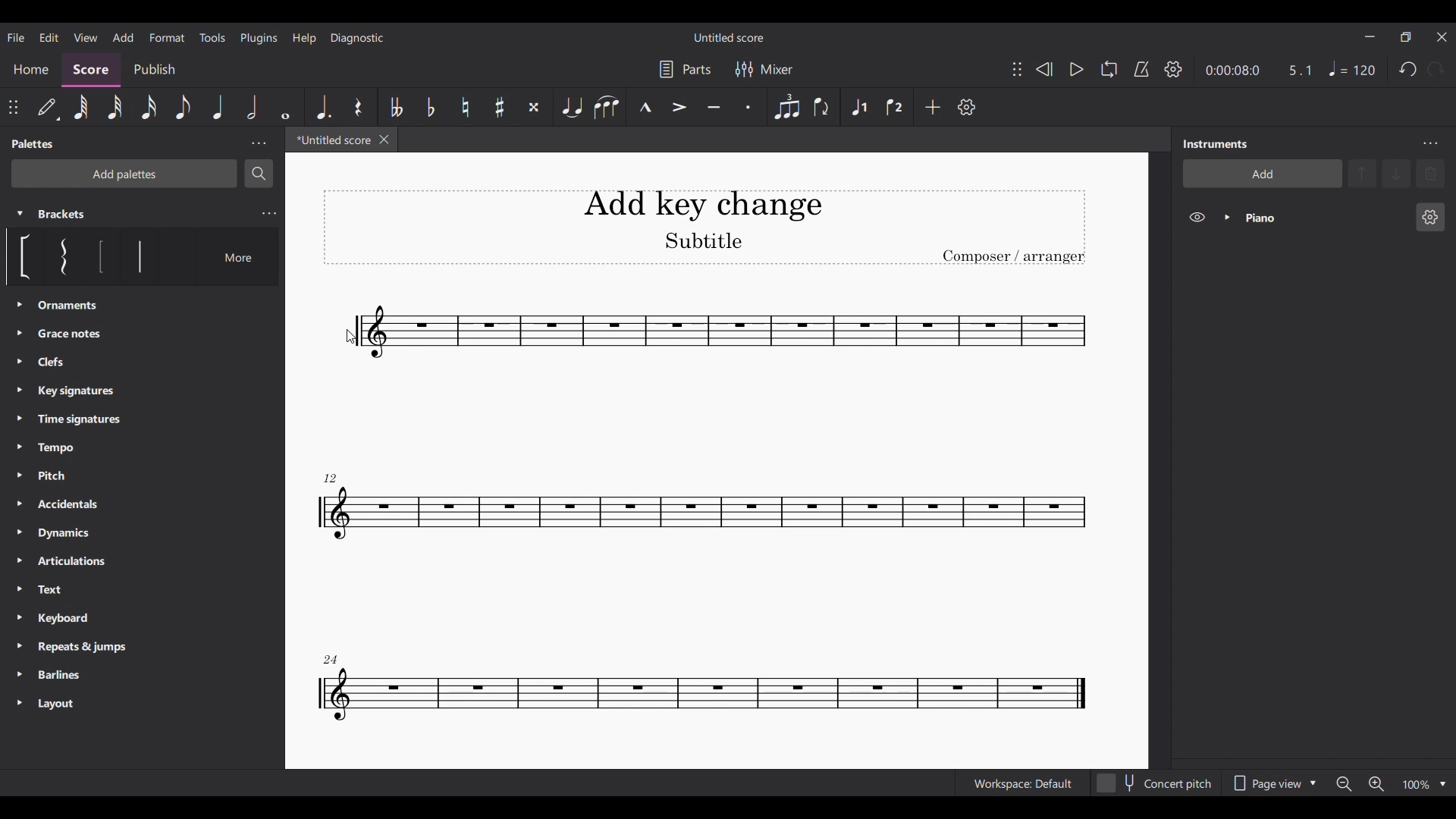 The width and height of the screenshot is (1456, 819). Describe the element at coordinates (500, 108) in the screenshot. I see `Toggle sharp` at that location.